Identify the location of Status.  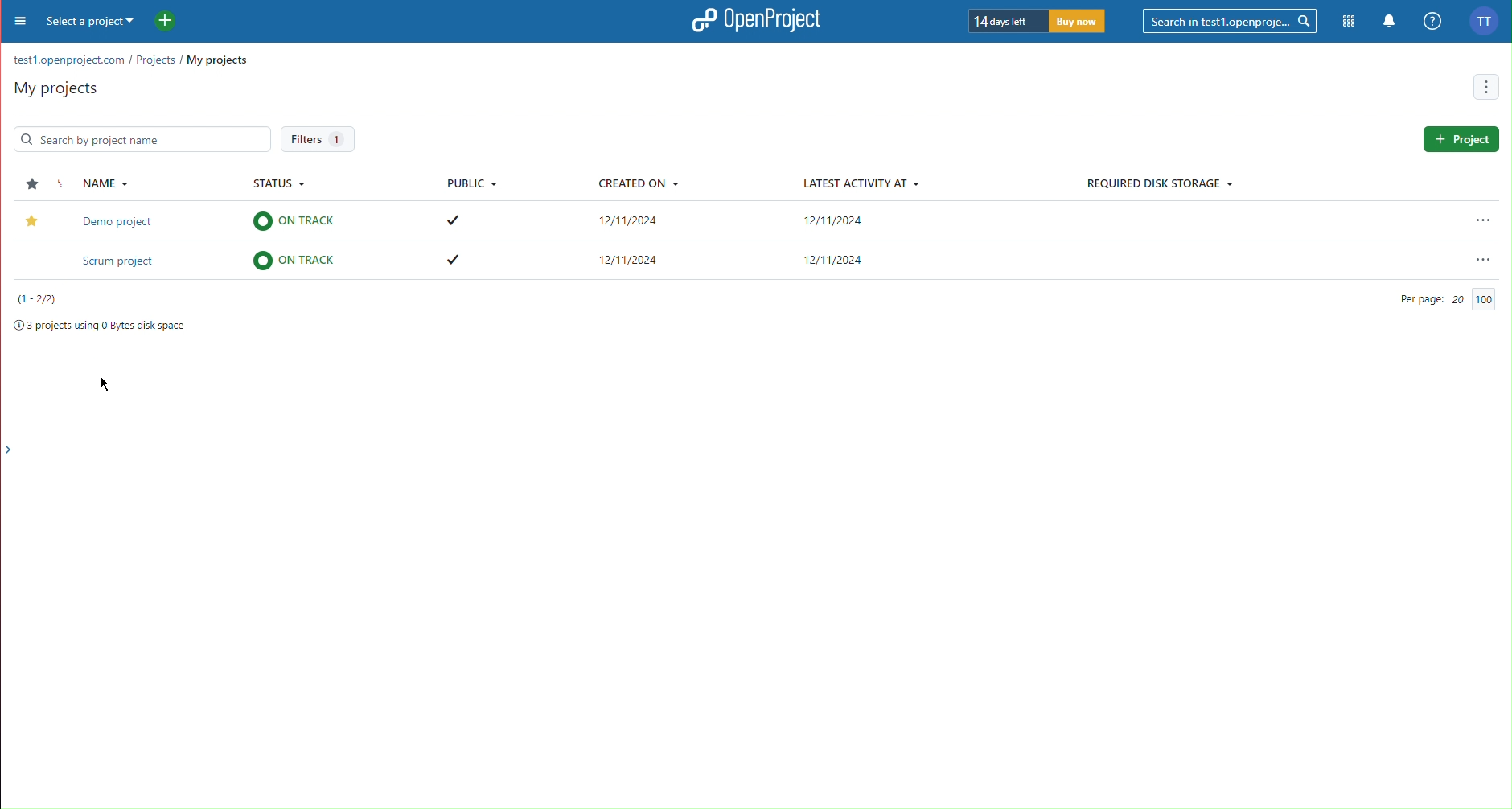
(283, 186).